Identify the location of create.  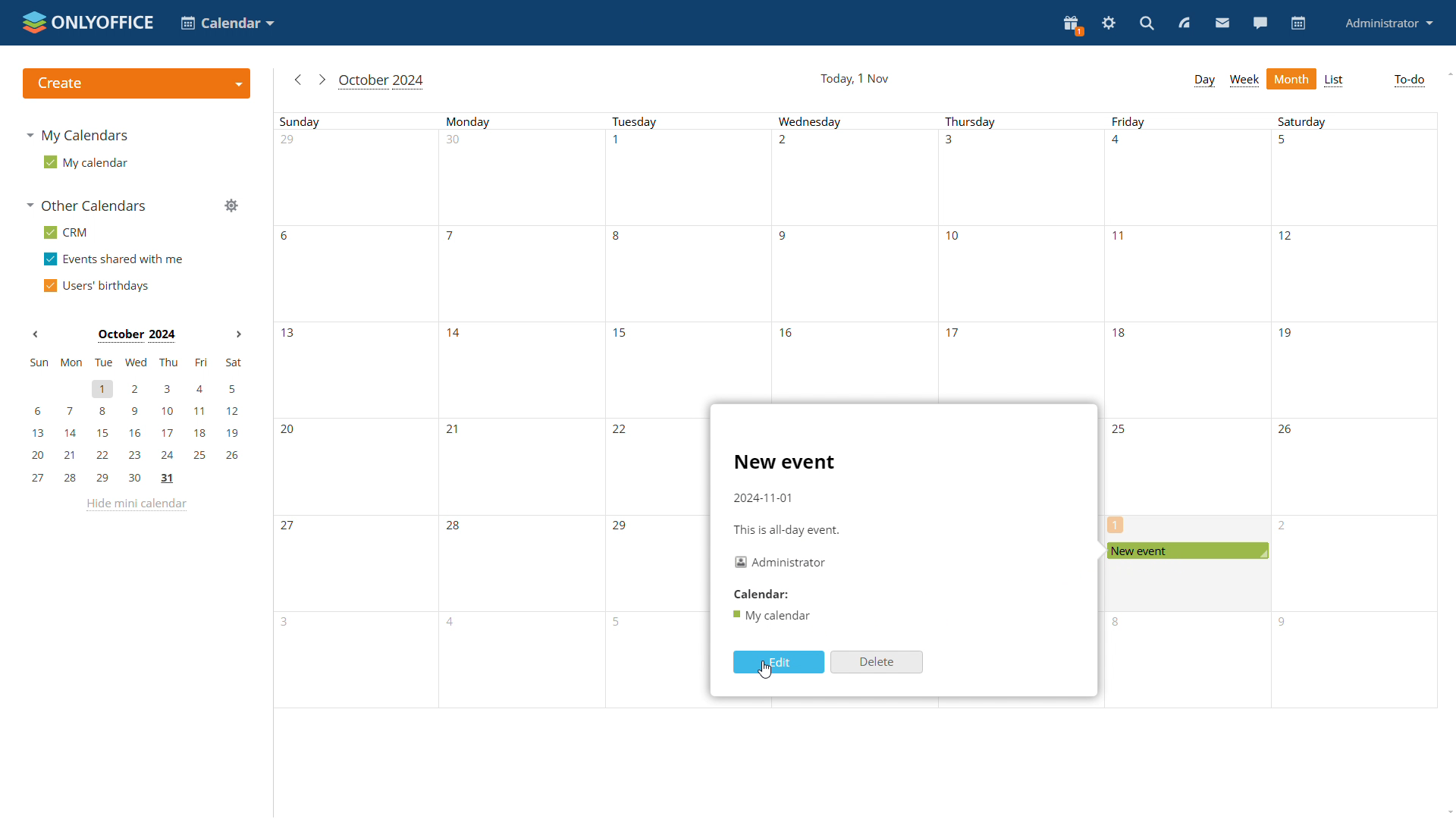
(136, 83).